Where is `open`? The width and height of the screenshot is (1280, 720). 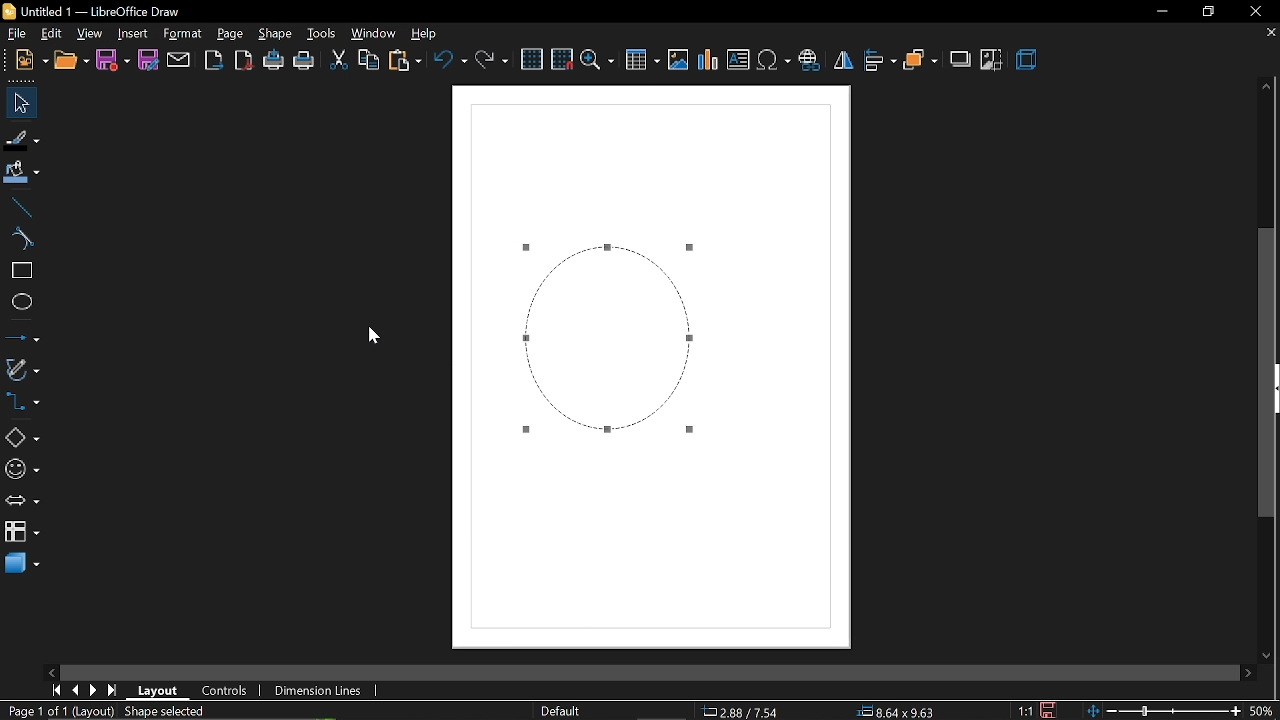 open is located at coordinates (30, 60).